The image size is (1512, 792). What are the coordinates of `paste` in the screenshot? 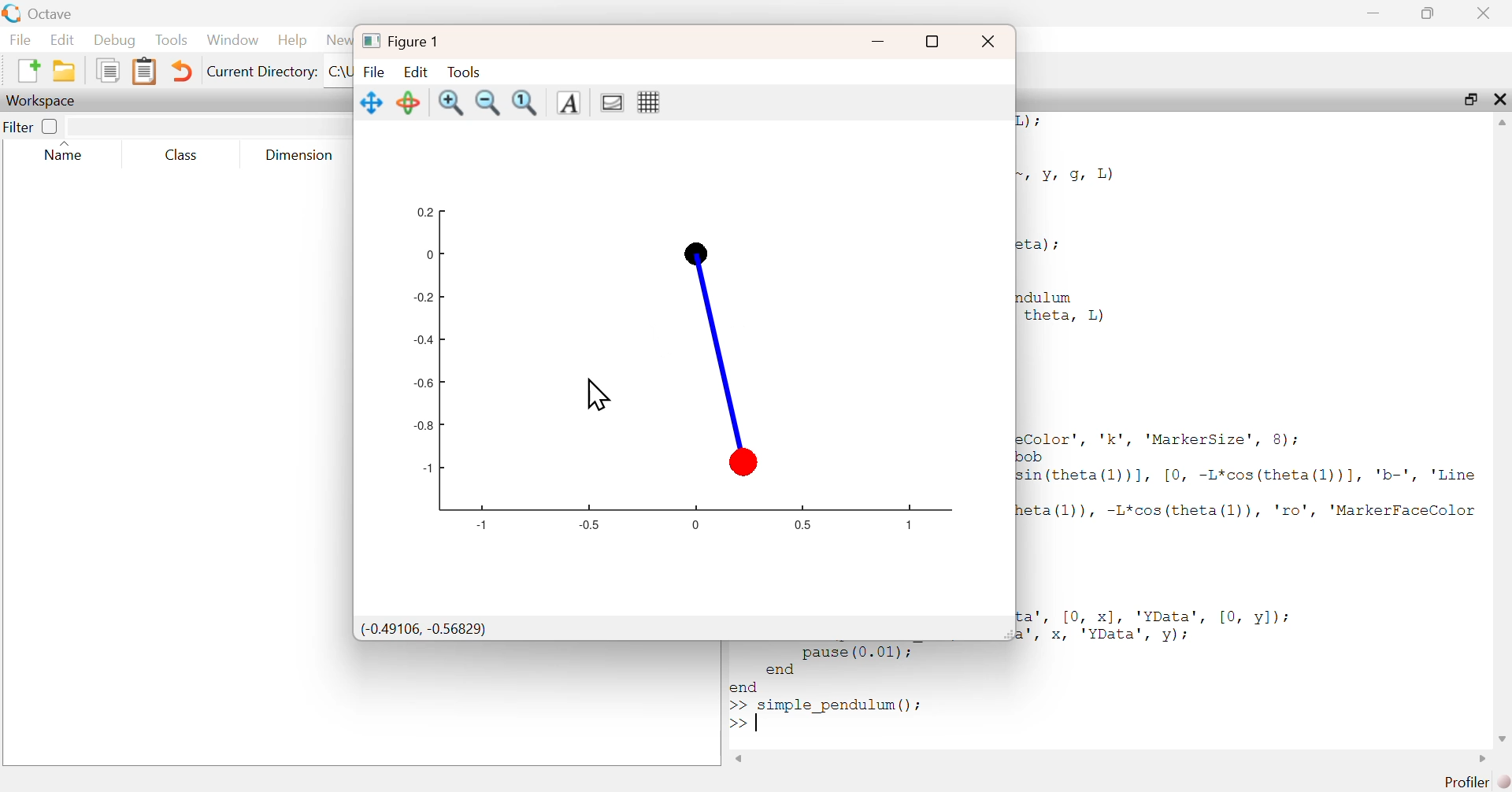 It's located at (146, 72).